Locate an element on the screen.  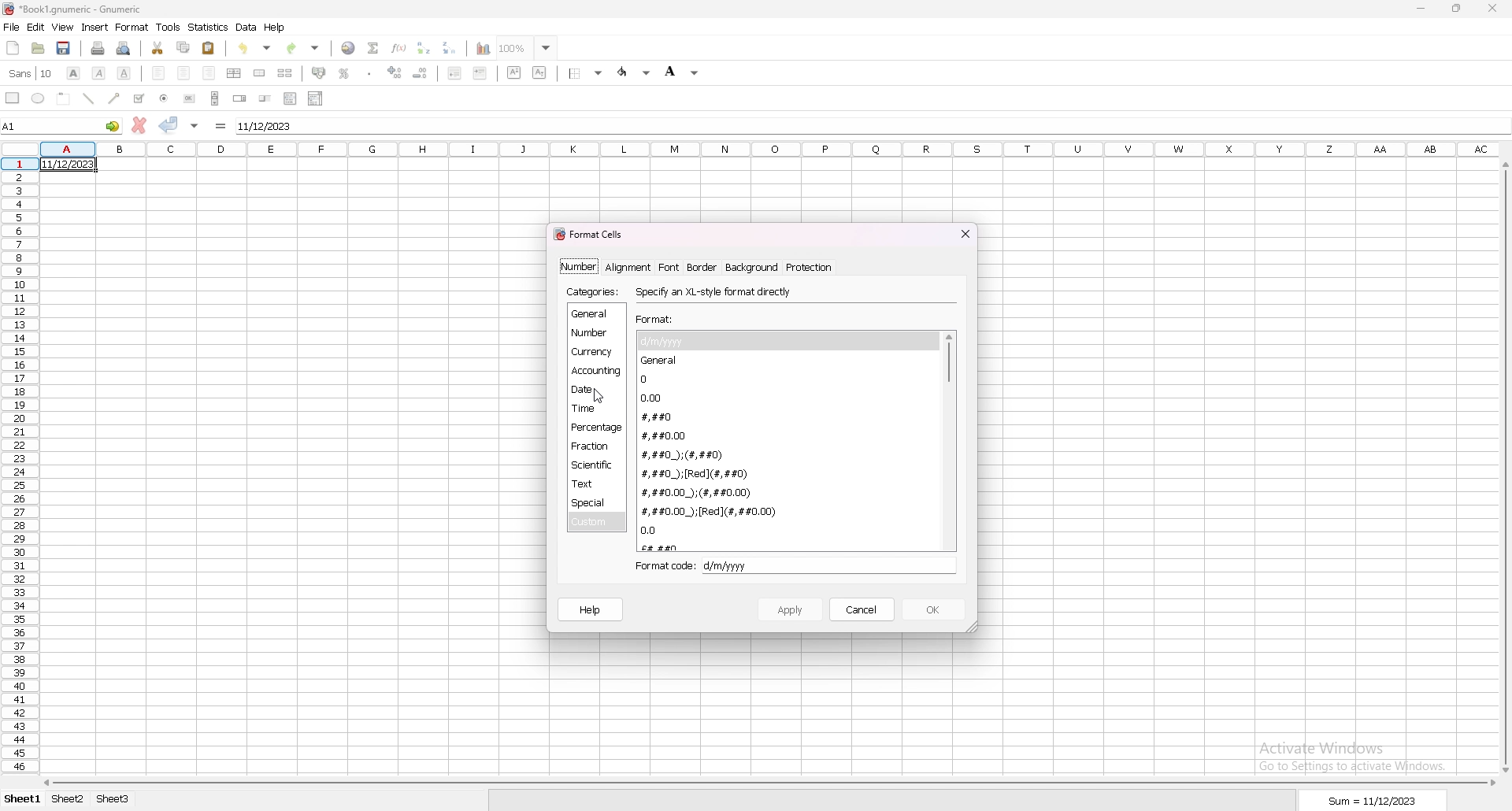
zoom is located at coordinates (528, 47).